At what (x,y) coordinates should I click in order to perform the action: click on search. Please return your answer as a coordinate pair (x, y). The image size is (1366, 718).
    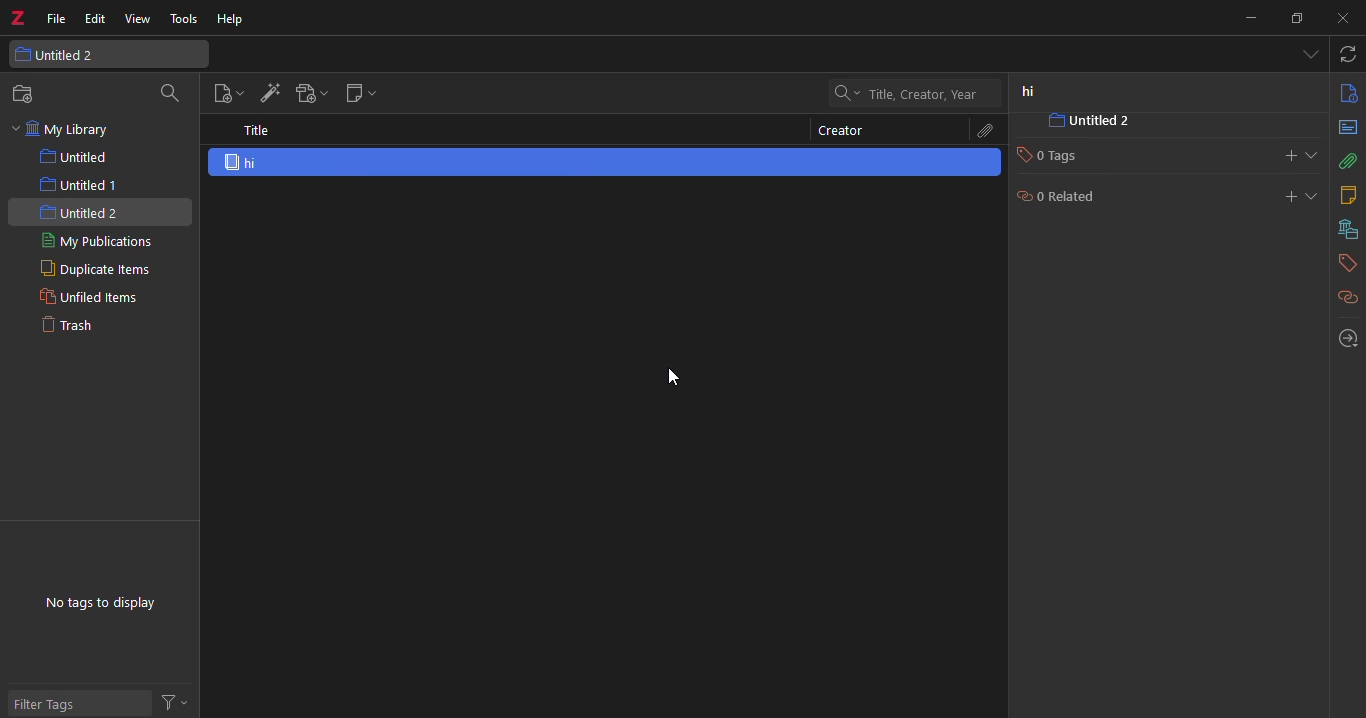
    Looking at the image, I should click on (169, 95).